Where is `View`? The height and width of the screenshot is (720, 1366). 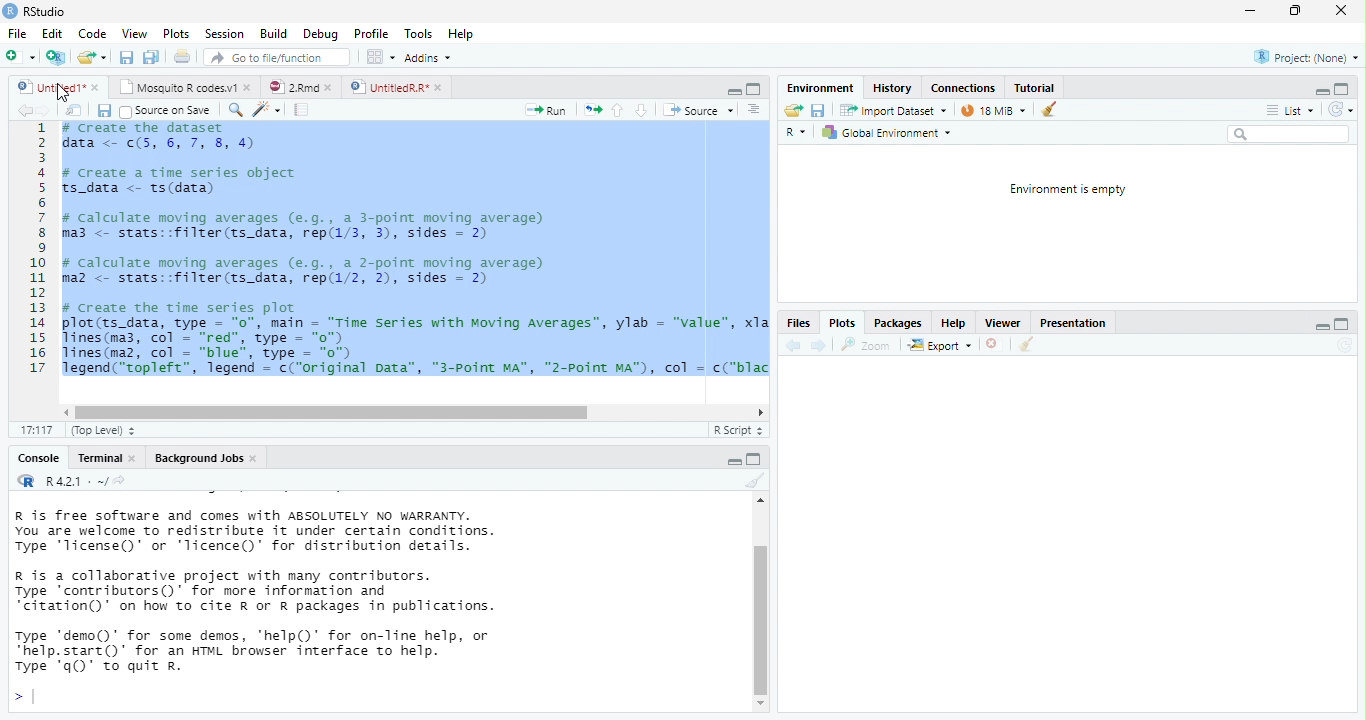
View is located at coordinates (133, 33).